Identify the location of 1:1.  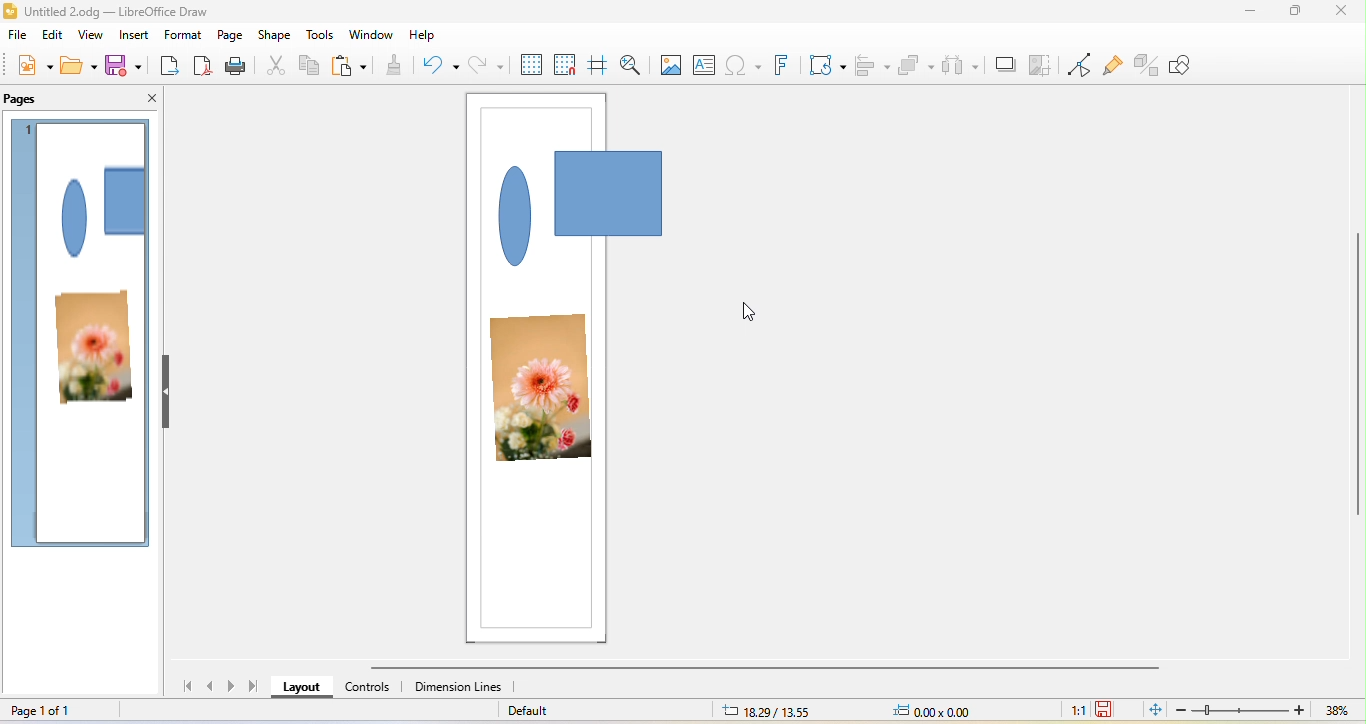
(1074, 711).